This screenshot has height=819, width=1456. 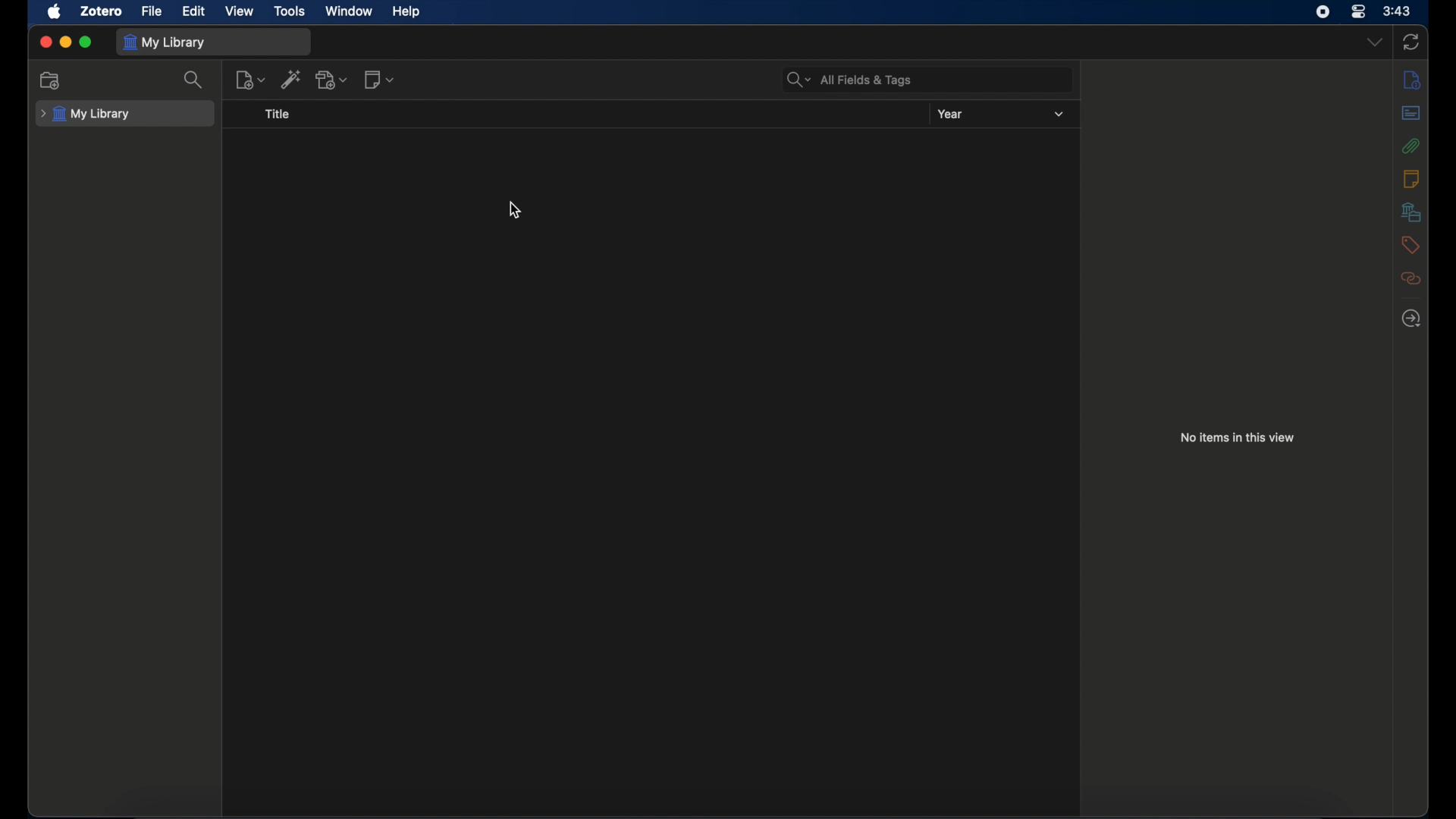 I want to click on search, so click(x=196, y=80).